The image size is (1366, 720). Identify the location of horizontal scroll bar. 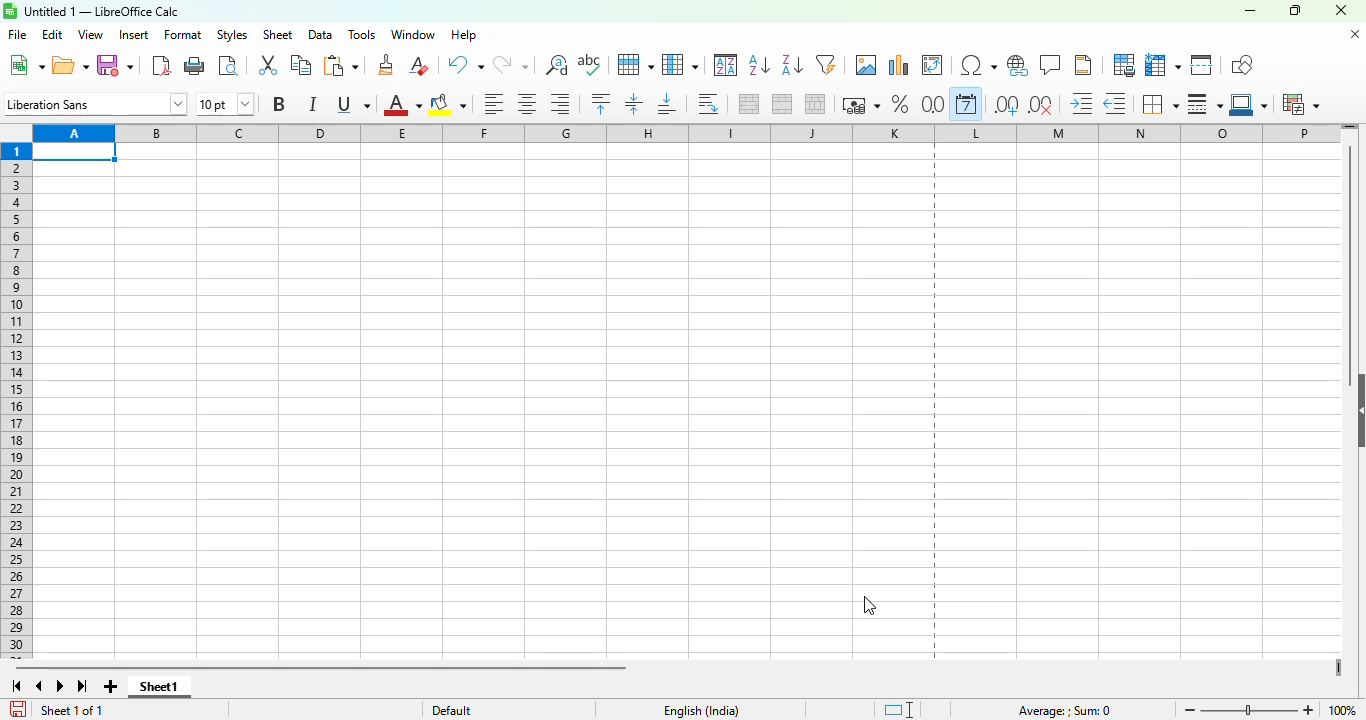
(320, 669).